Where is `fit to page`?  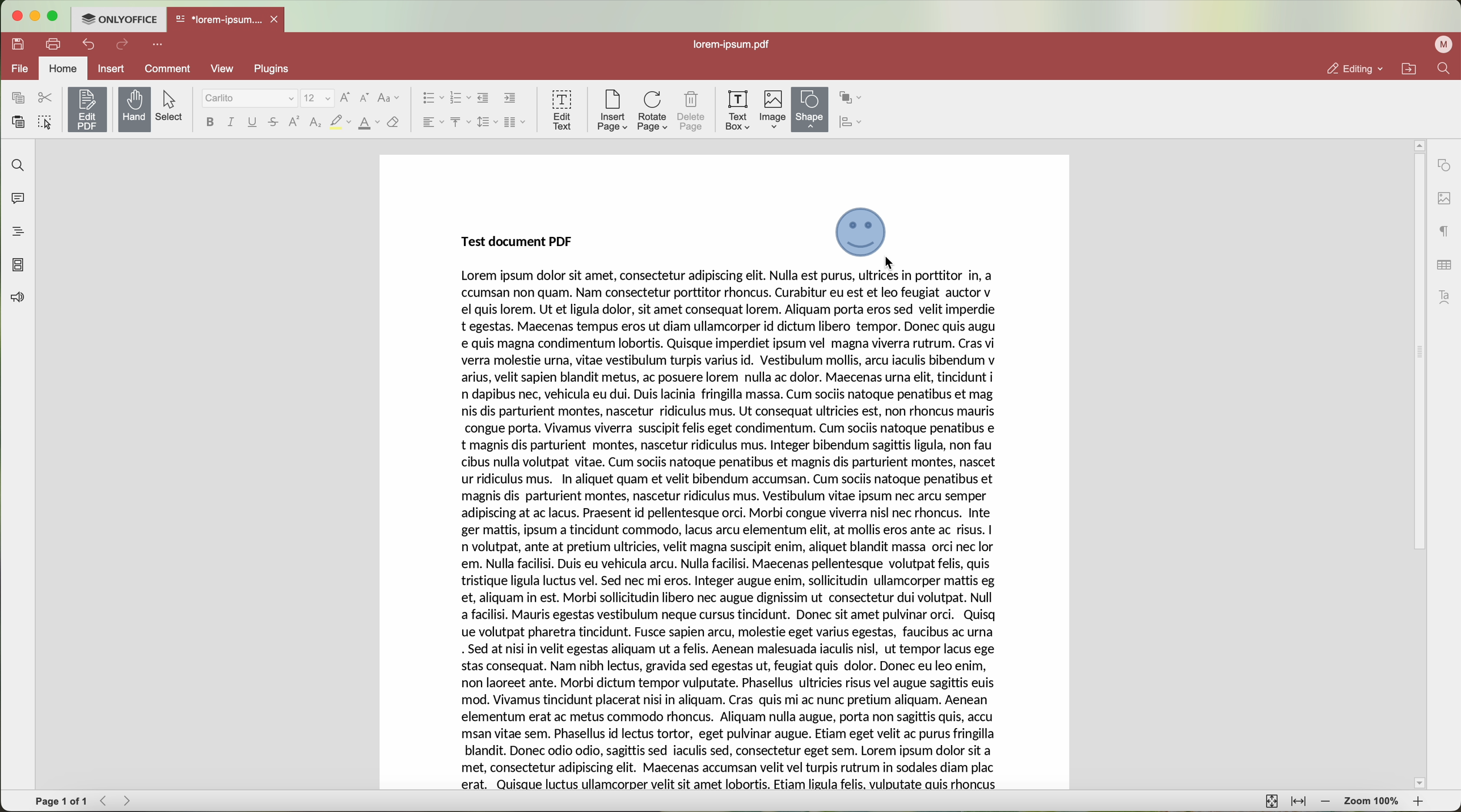
fit to page is located at coordinates (1270, 801).